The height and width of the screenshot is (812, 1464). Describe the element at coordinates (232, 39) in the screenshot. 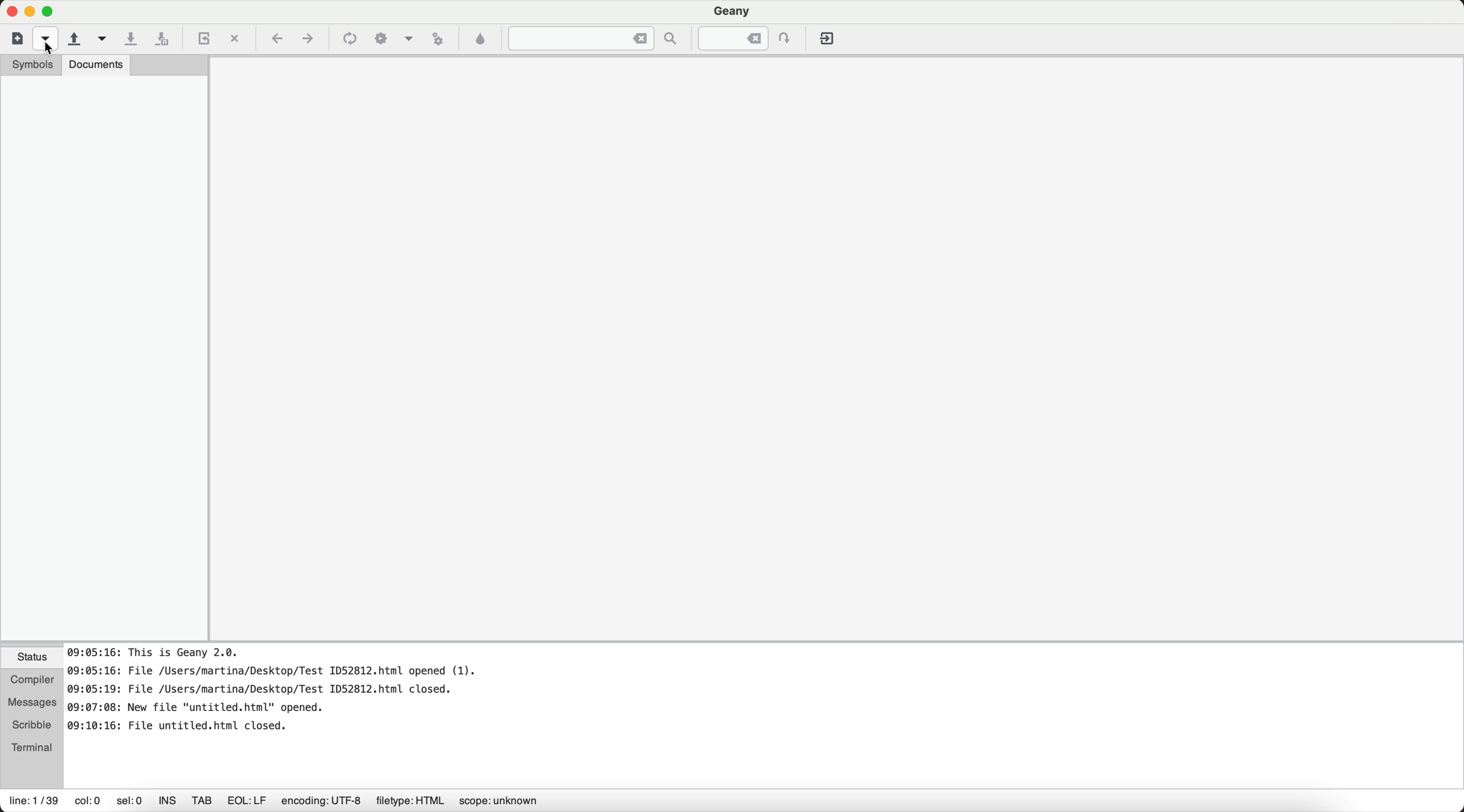

I see `close the current file` at that location.